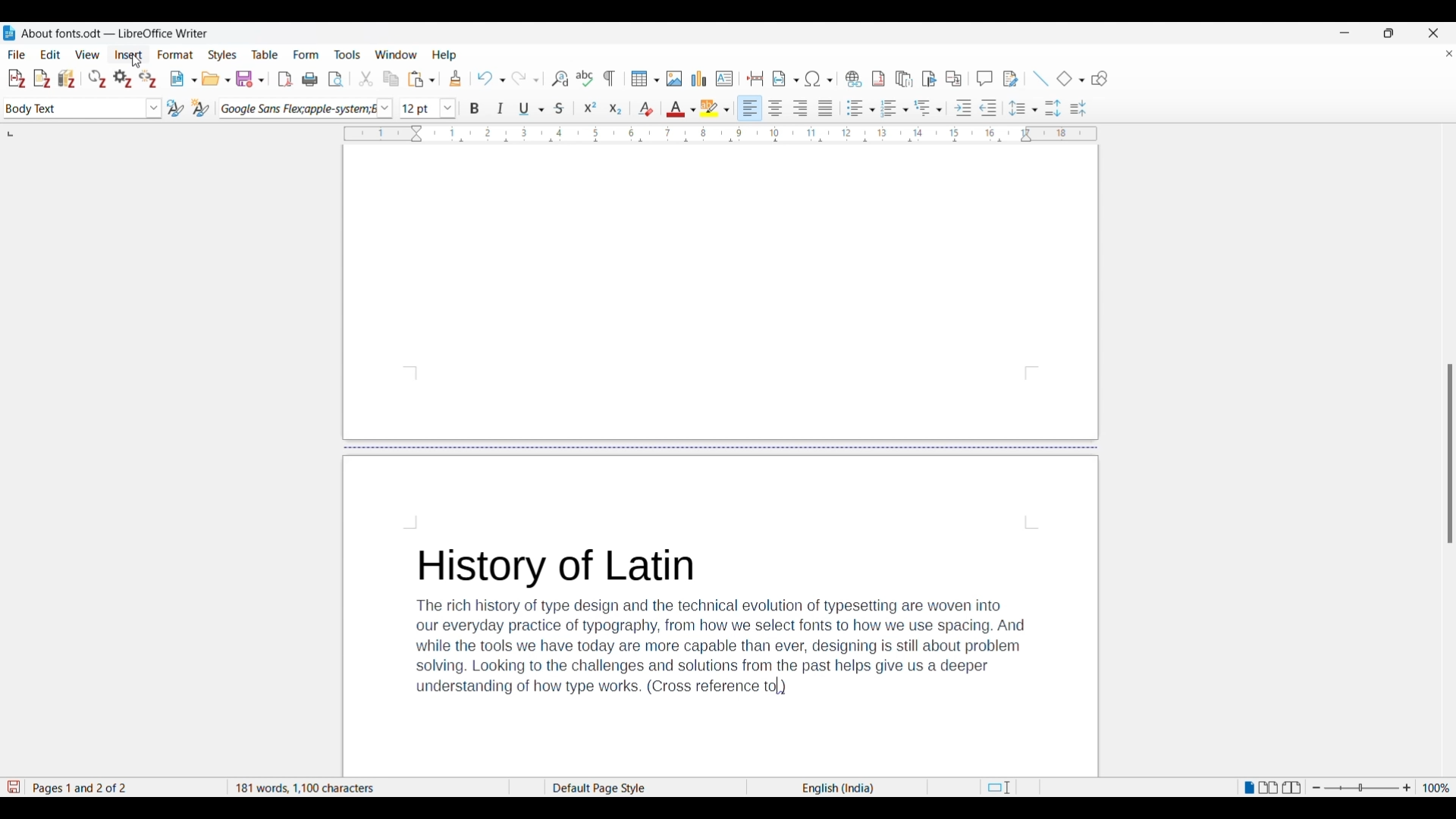  Describe the element at coordinates (645, 79) in the screenshot. I see `Insert table` at that location.